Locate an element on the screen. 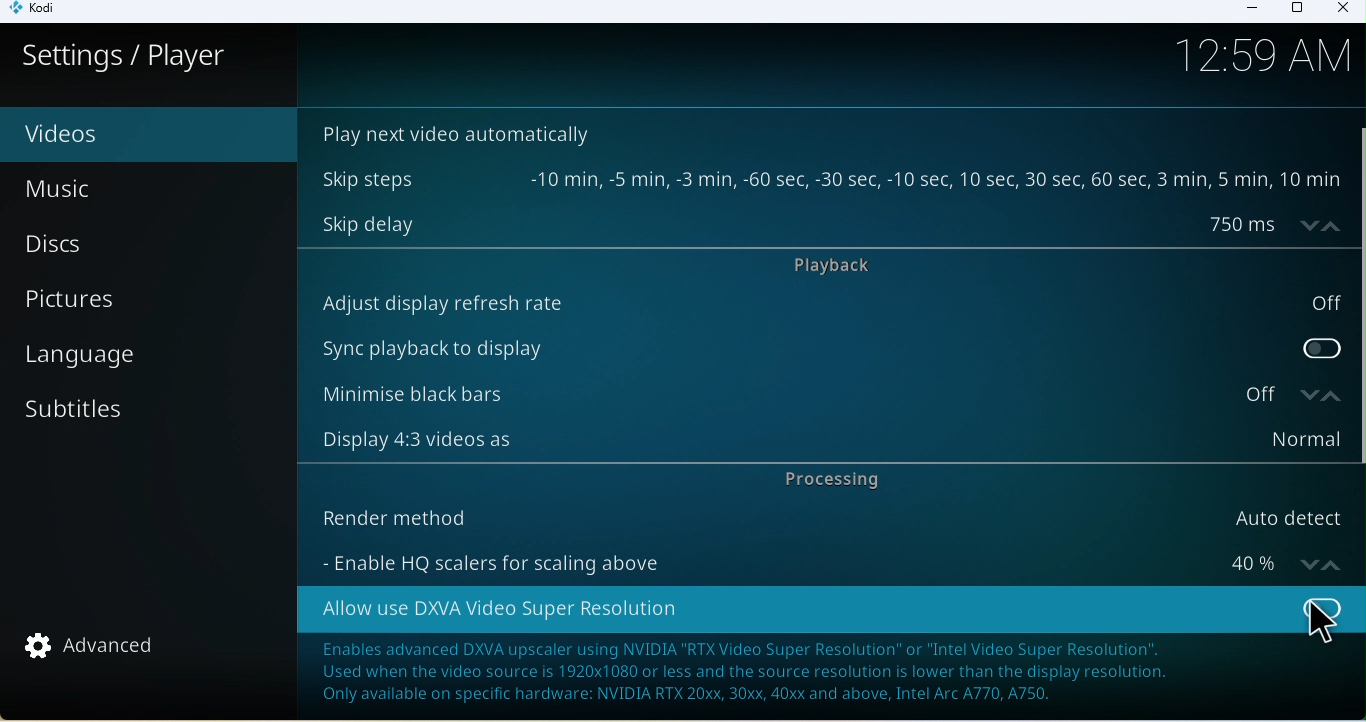 The image size is (1366, 722). Playback is located at coordinates (845, 268).